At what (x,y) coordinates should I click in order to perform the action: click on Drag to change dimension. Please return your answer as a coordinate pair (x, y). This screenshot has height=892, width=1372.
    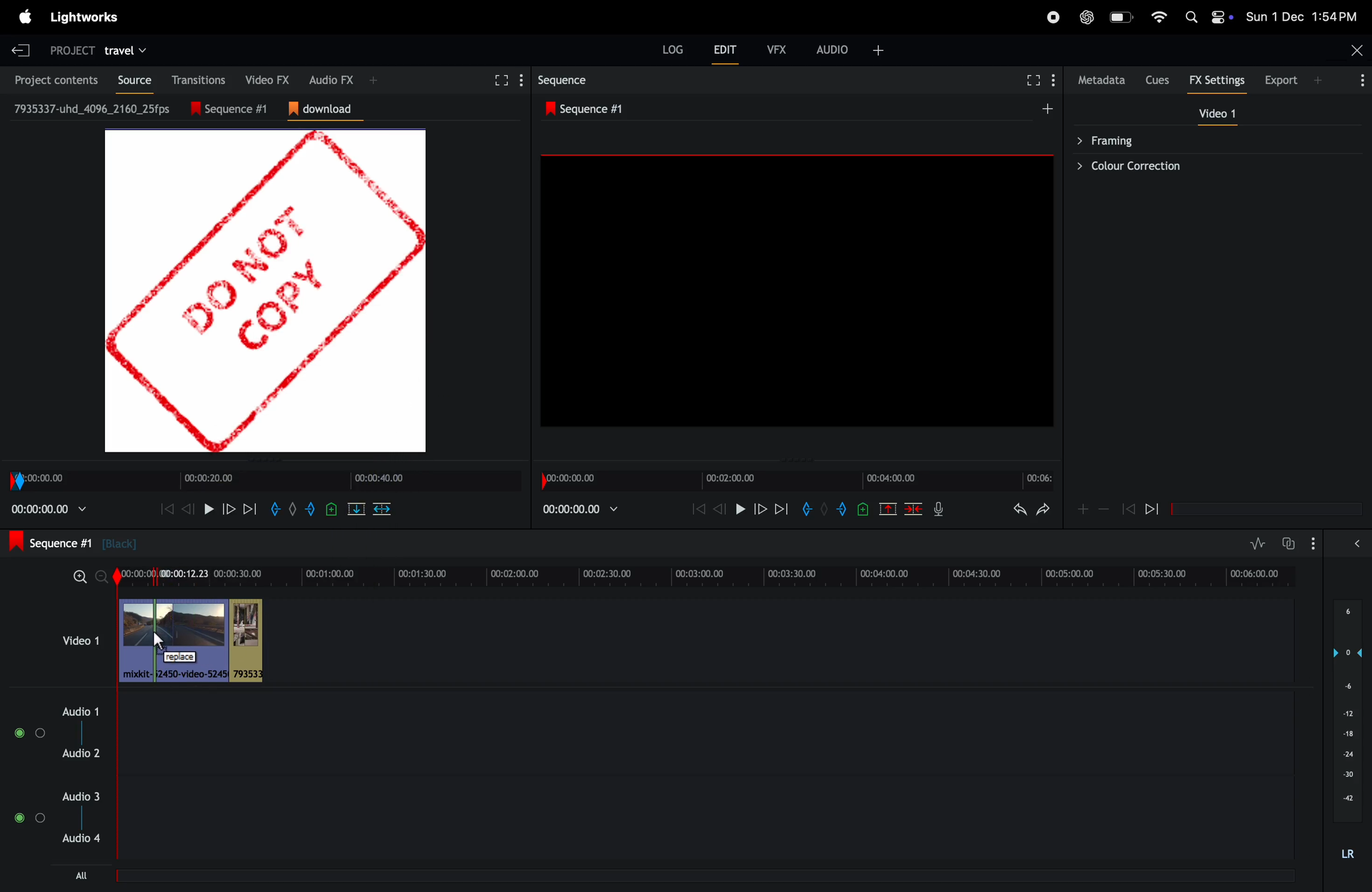
    Looking at the image, I should click on (794, 461).